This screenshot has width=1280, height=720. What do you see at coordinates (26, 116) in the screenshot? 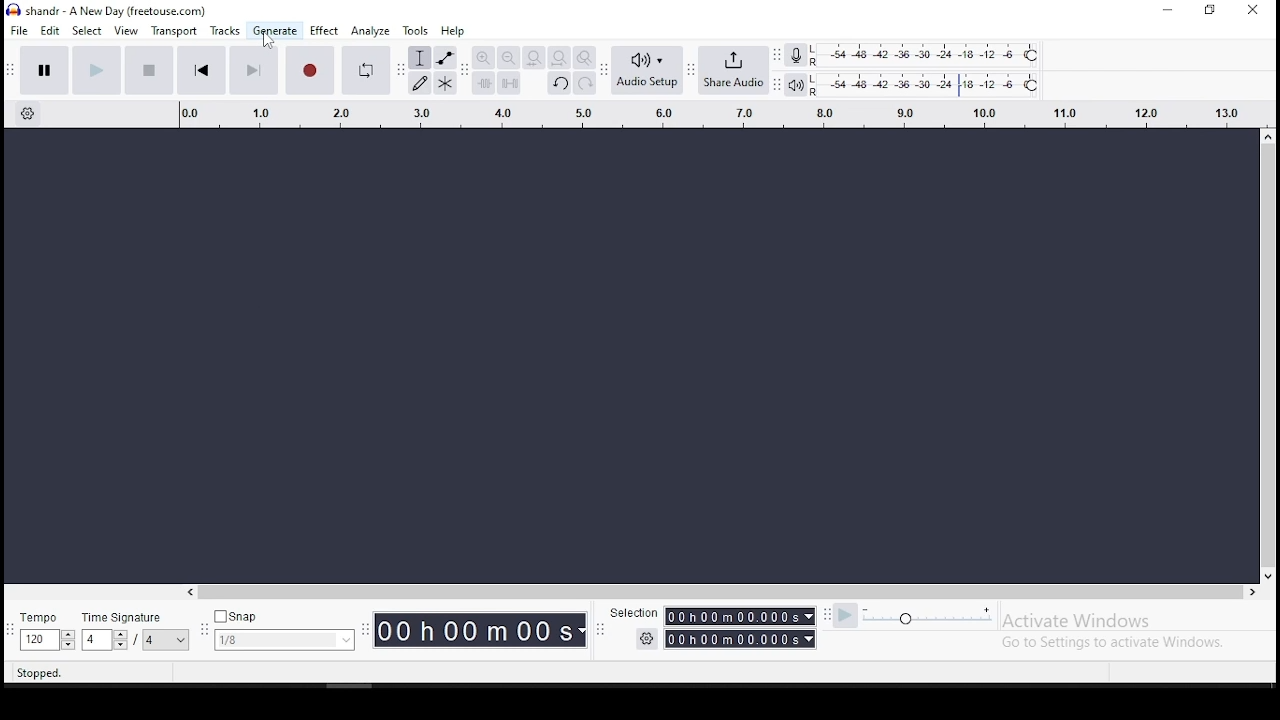
I see `timeline settings` at bounding box center [26, 116].